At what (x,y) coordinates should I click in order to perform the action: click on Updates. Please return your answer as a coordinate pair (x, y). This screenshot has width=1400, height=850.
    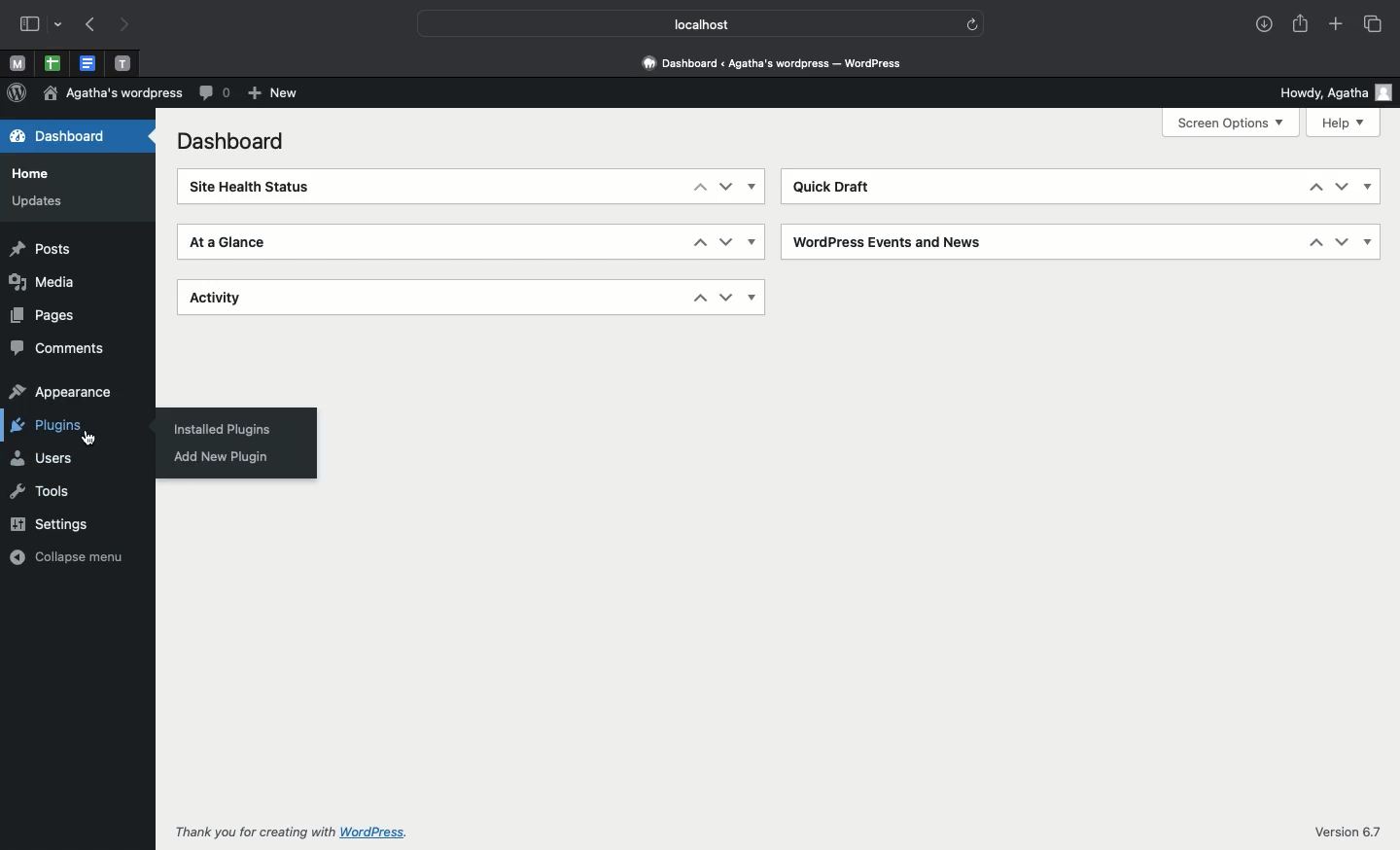
    Looking at the image, I should click on (41, 202).